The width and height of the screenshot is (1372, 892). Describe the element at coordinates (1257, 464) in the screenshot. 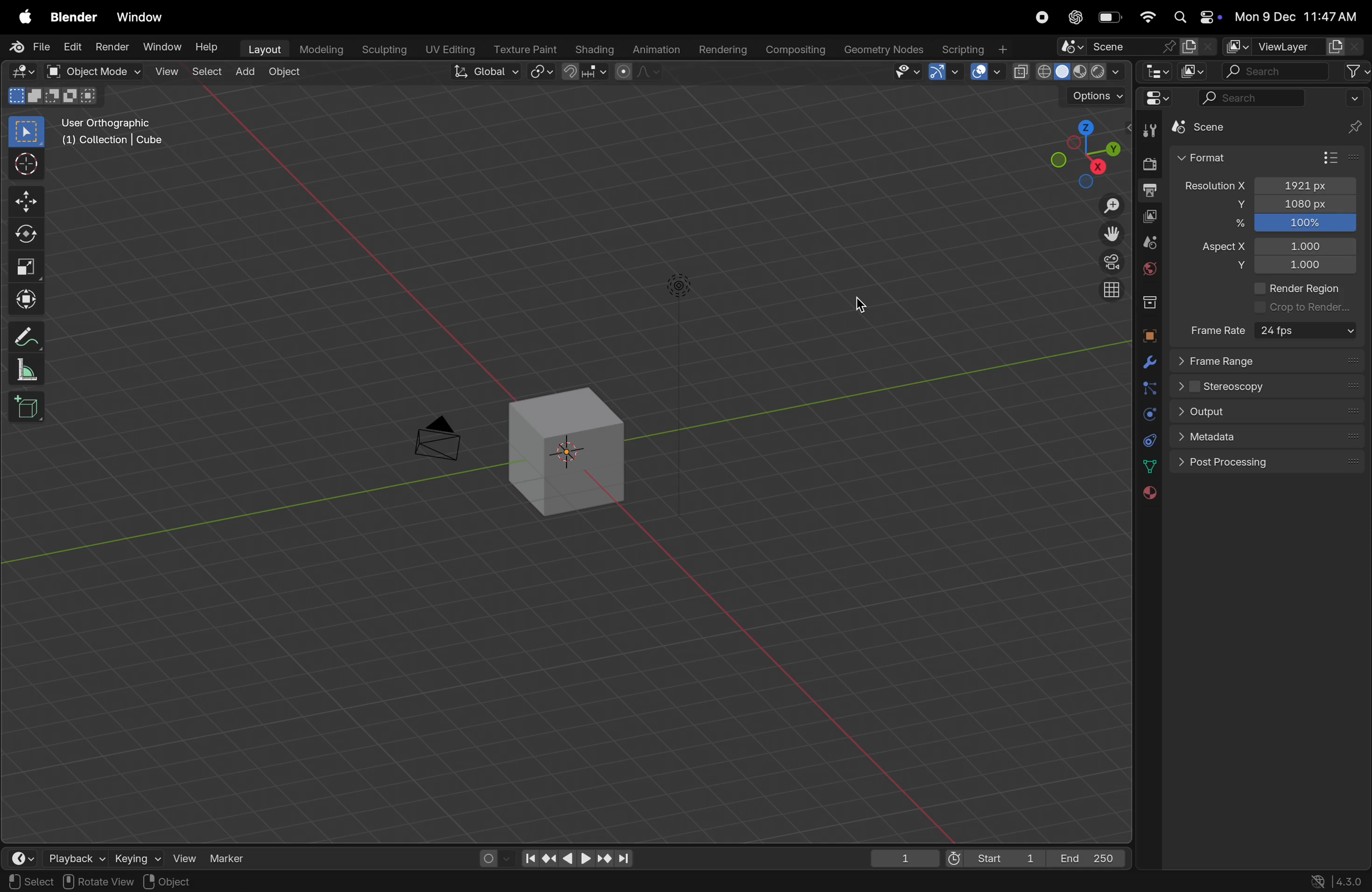

I see `post processing` at that location.